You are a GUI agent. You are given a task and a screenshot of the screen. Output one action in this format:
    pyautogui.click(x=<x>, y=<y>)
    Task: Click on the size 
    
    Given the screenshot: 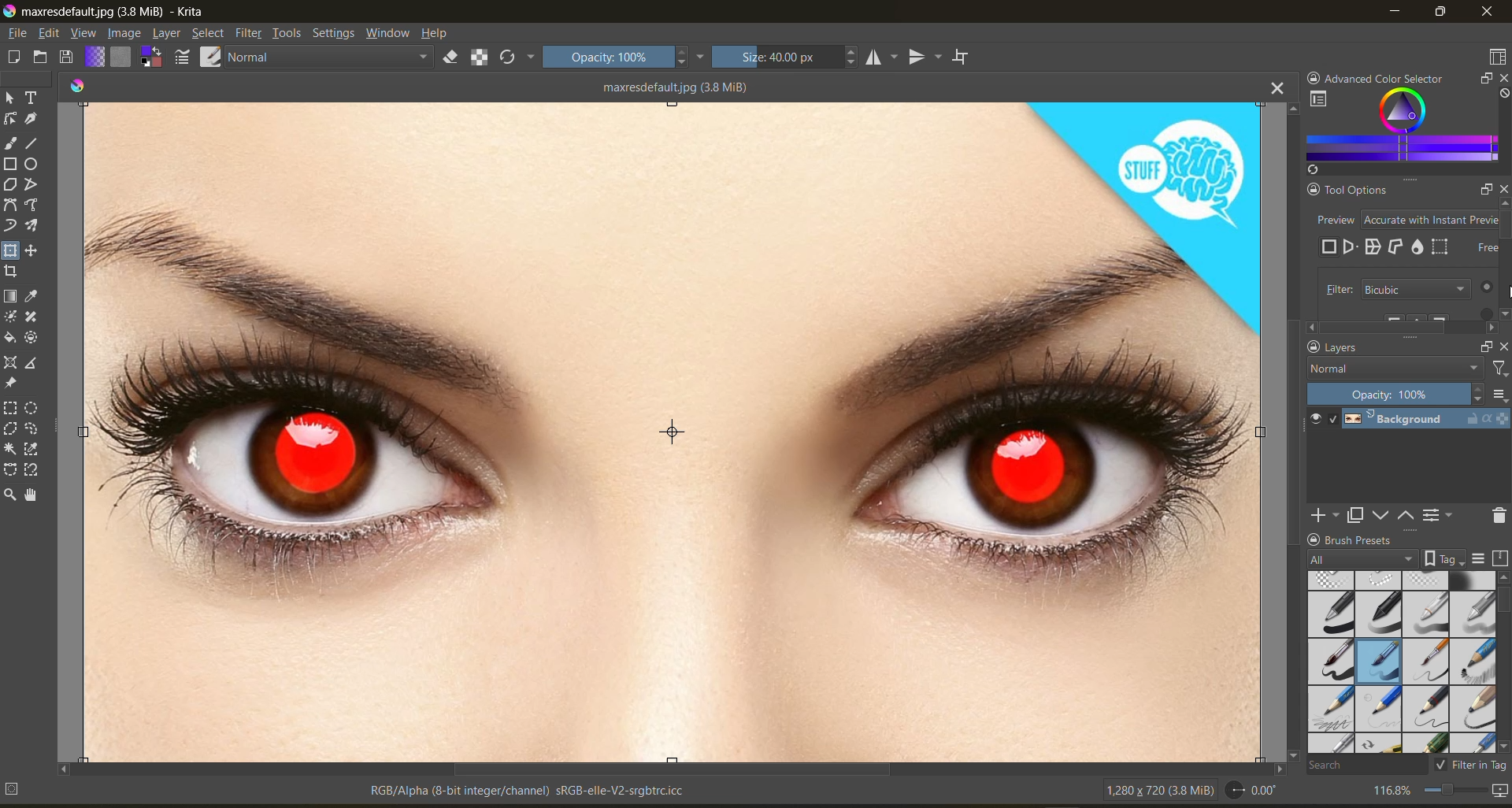 What is the action you would take?
    pyautogui.click(x=789, y=57)
    